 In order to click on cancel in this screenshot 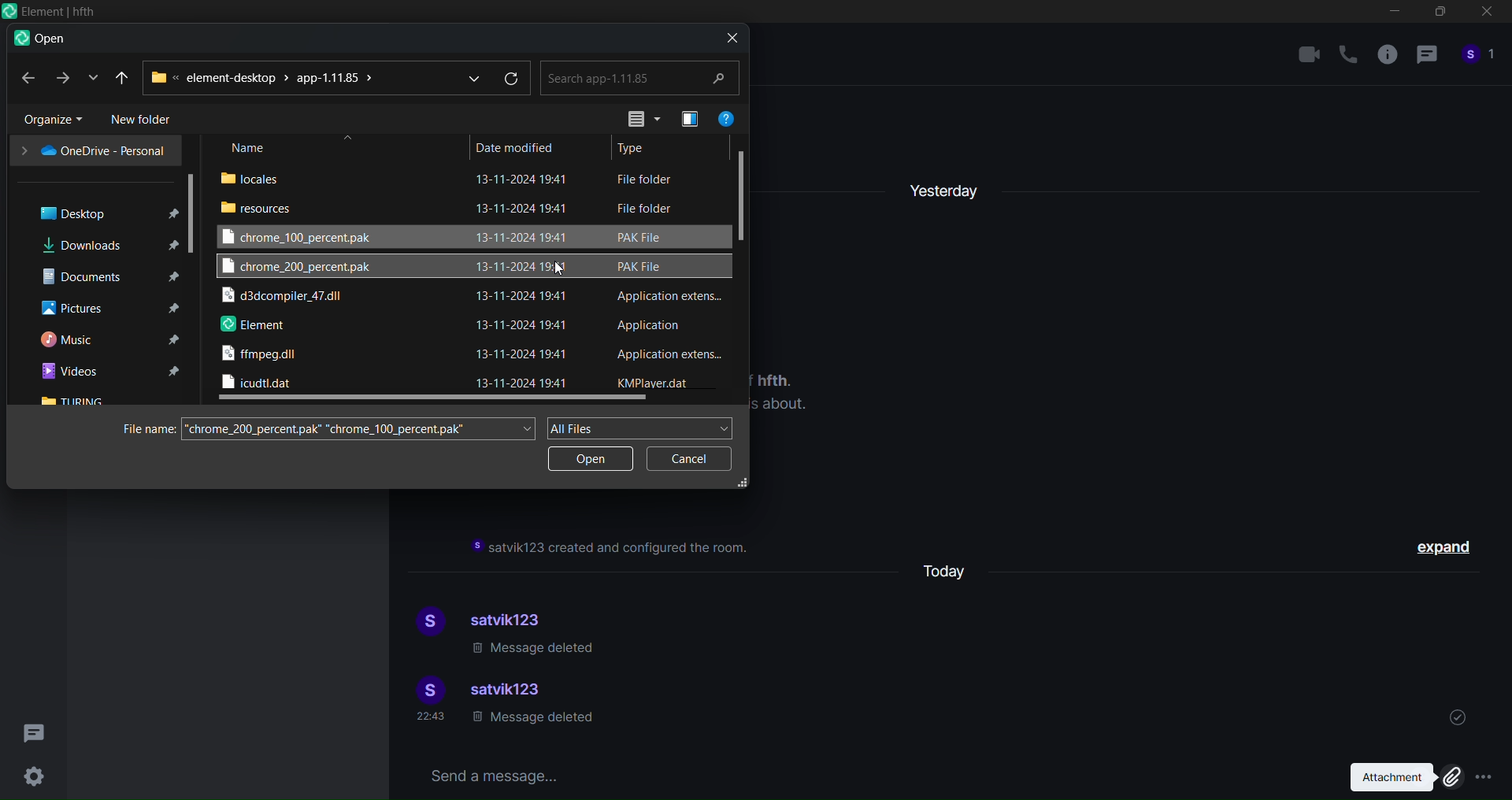, I will do `click(686, 460)`.